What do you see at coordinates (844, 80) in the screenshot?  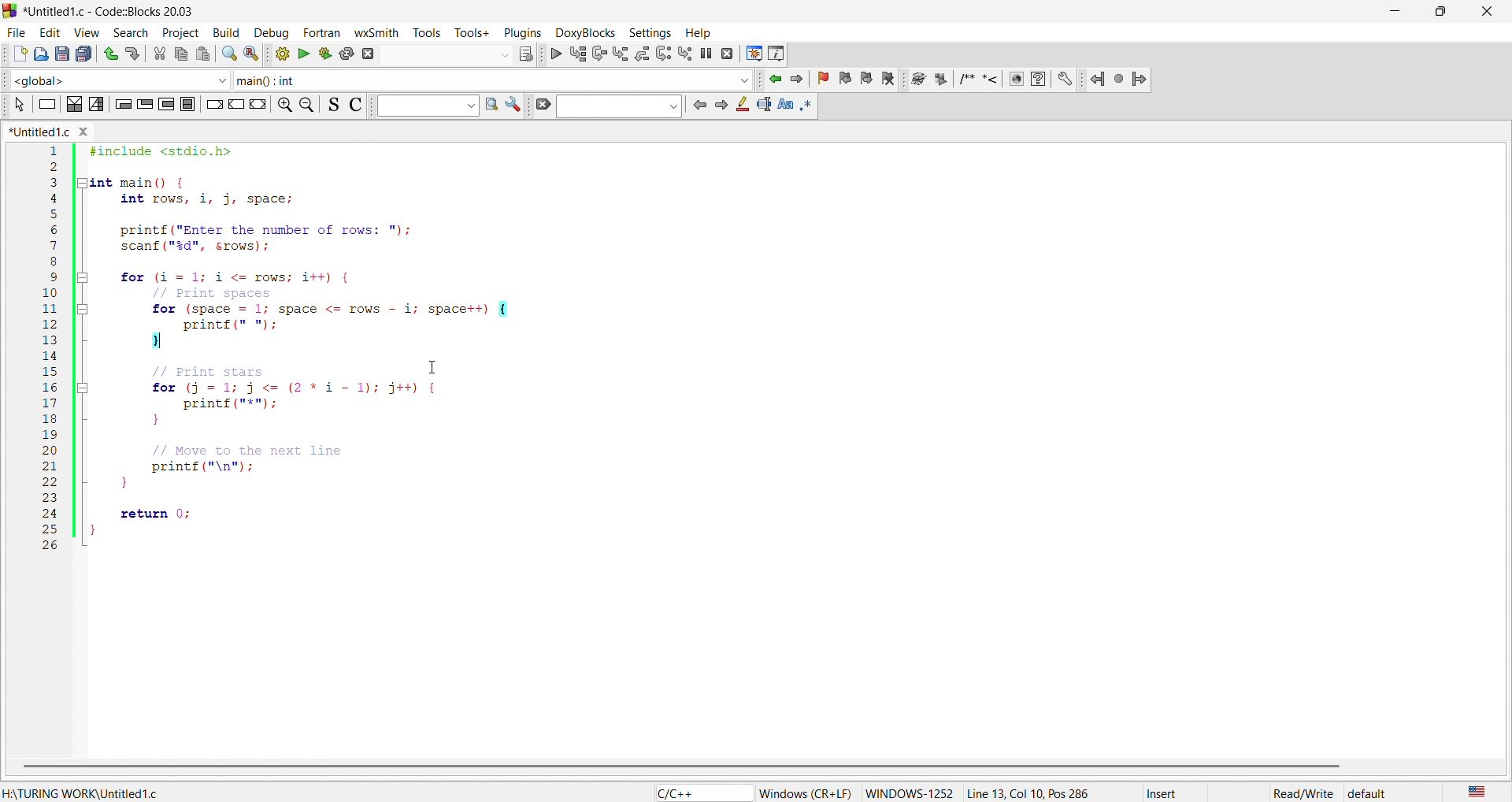 I see `previous bookmark` at bounding box center [844, 80].